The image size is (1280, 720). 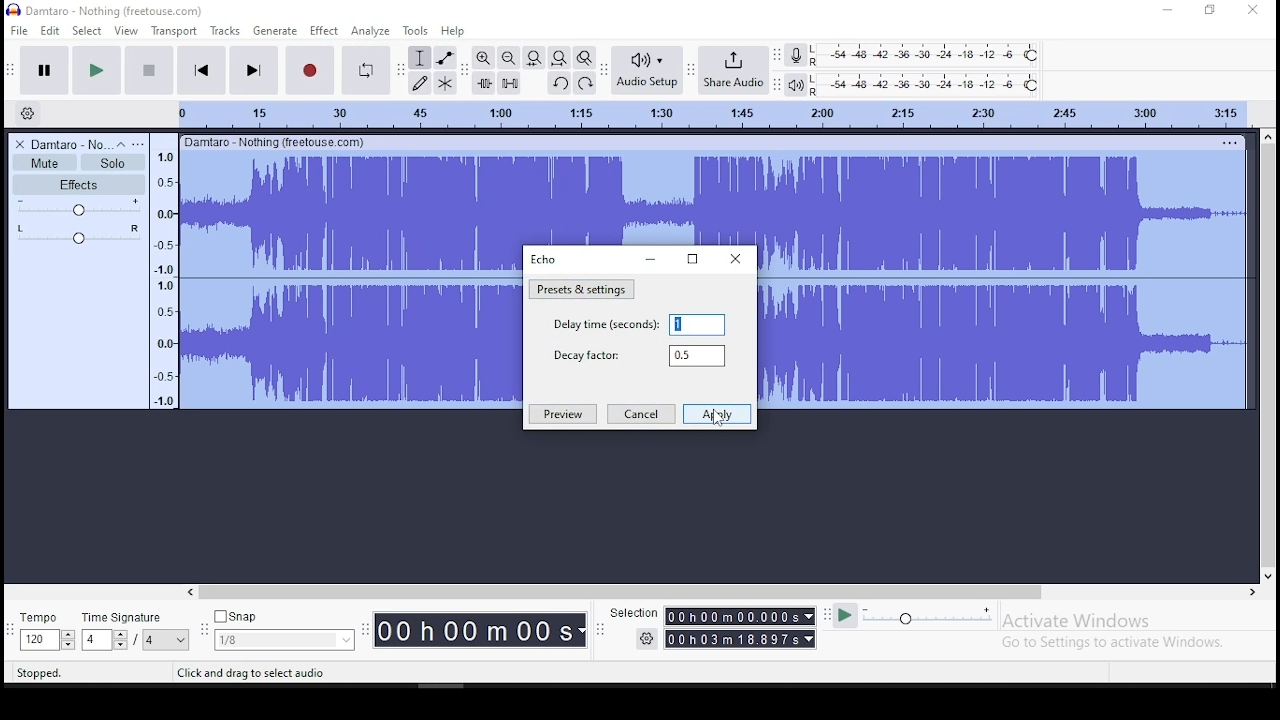 I want to click on close, so click(x=734, y=259).